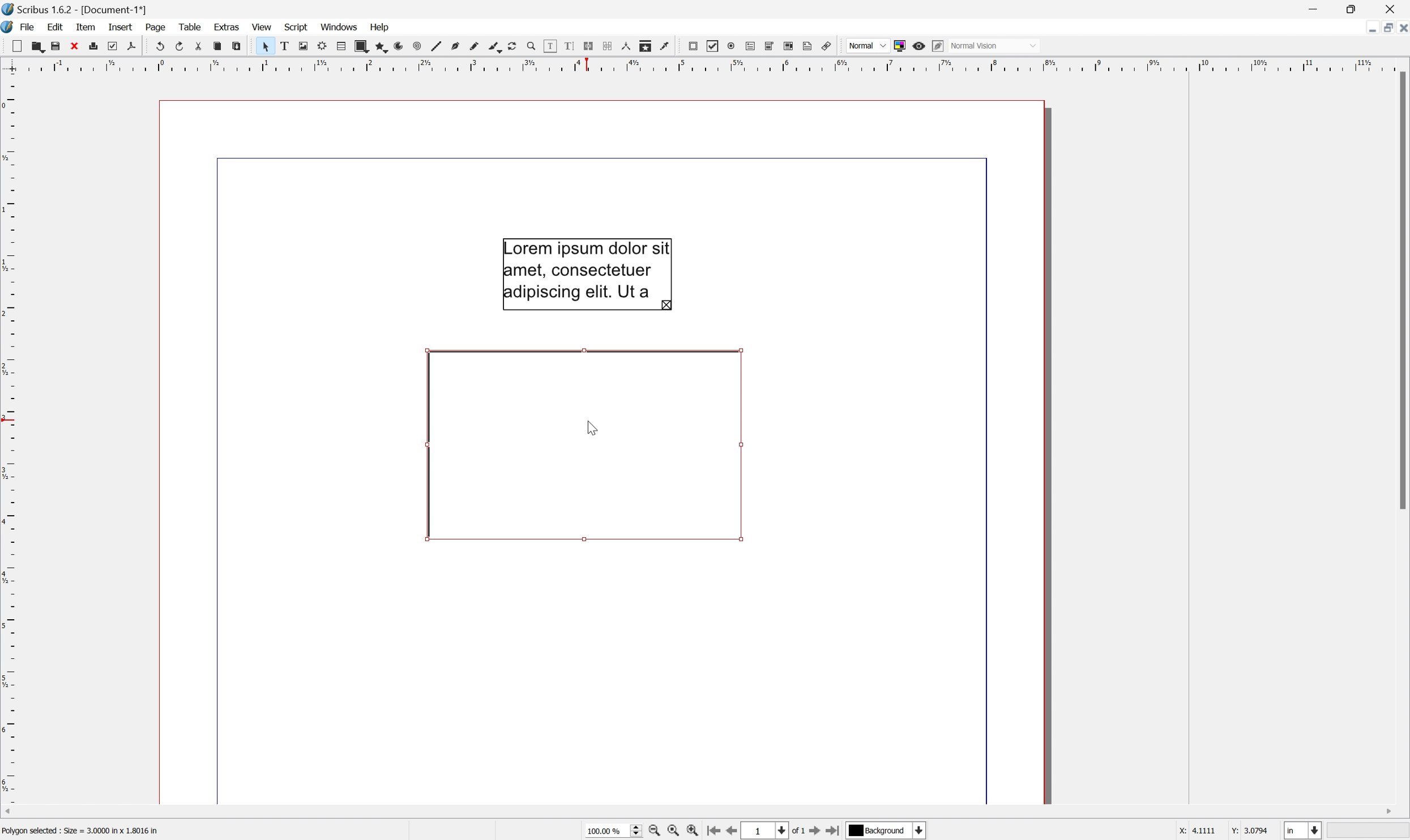 The image size is (1410, 840). I want to click on Script, so click(296, 25).